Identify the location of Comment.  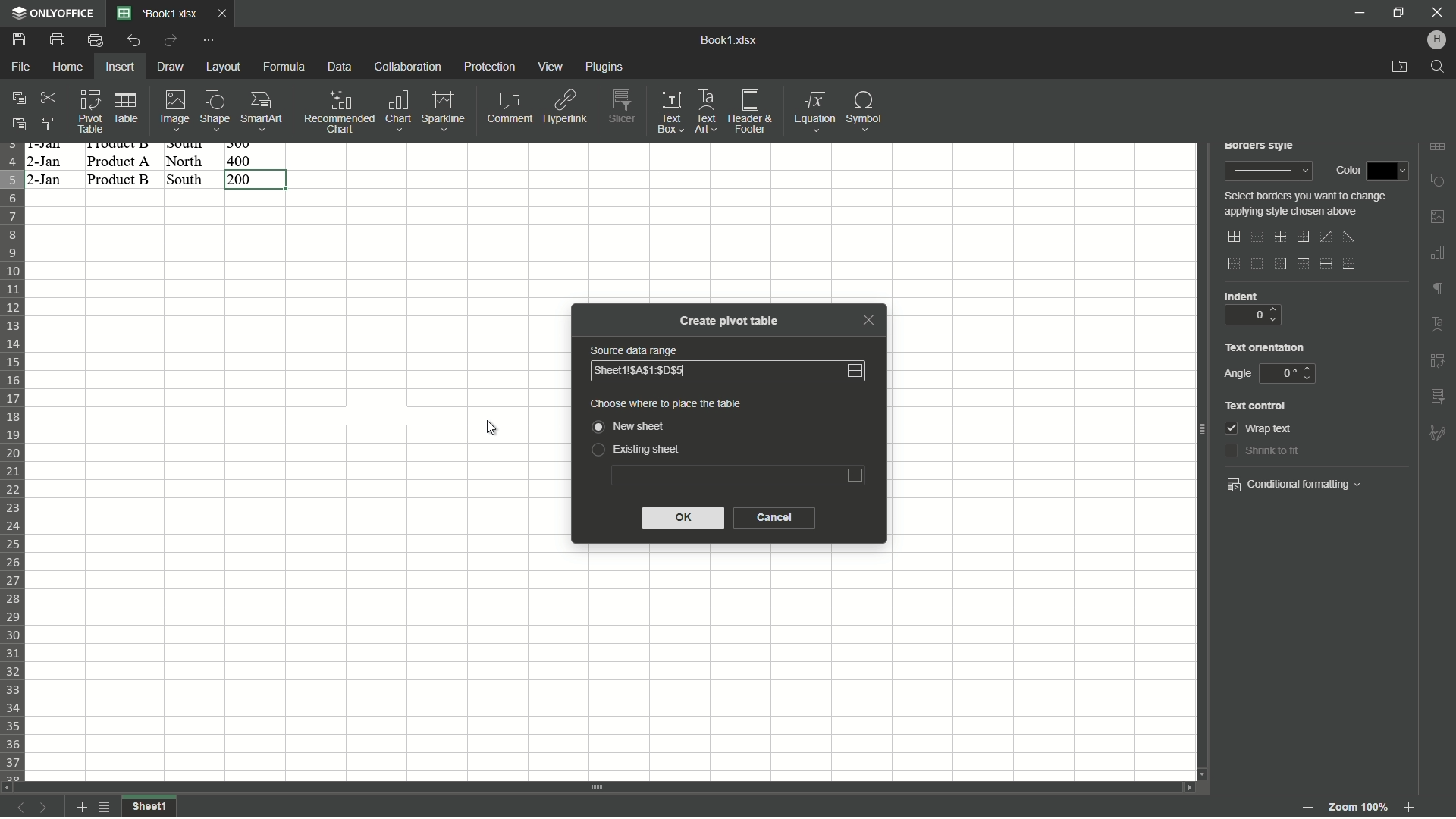
(507, 107).